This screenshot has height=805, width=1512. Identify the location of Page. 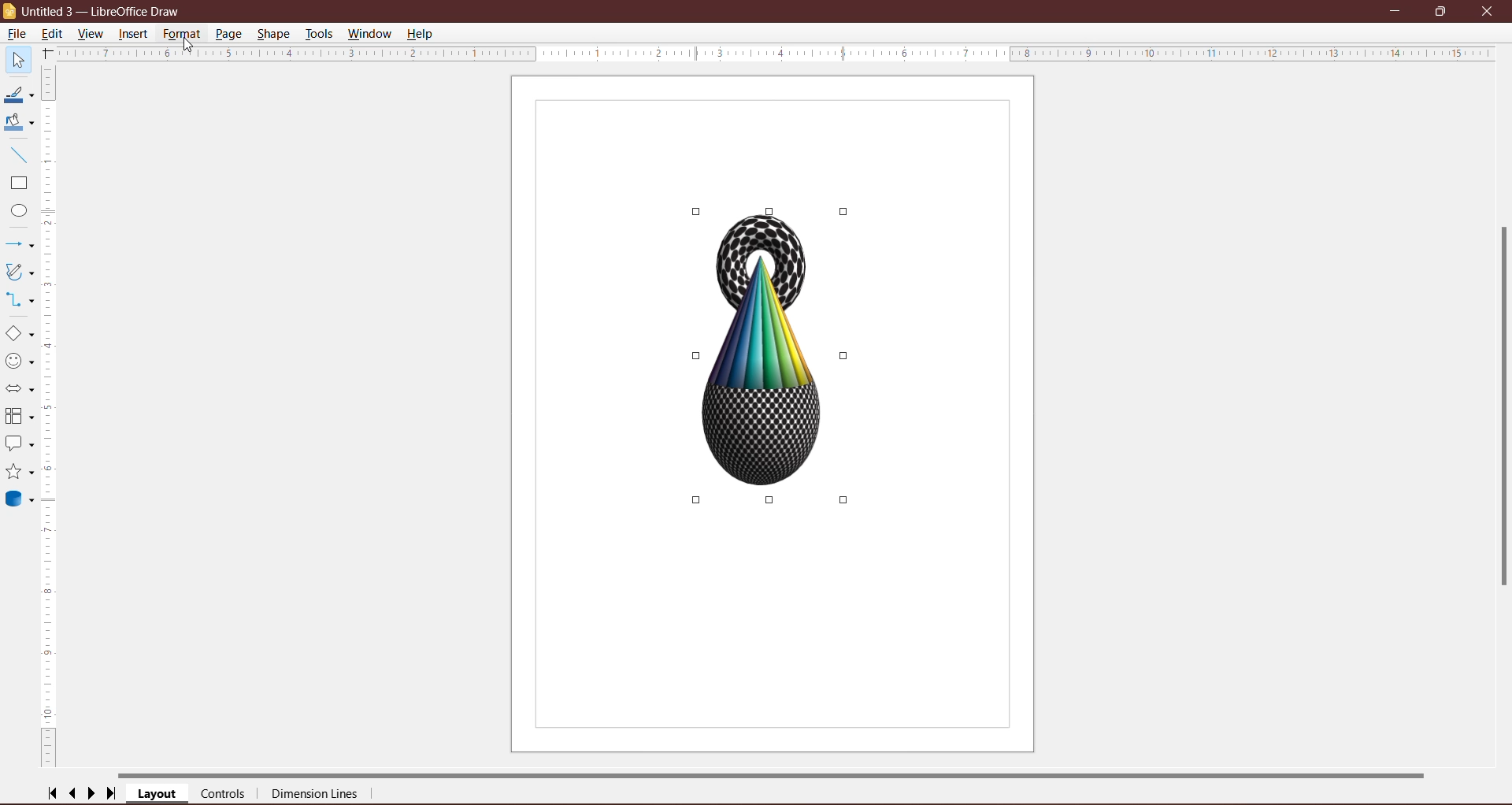
(230, 34).